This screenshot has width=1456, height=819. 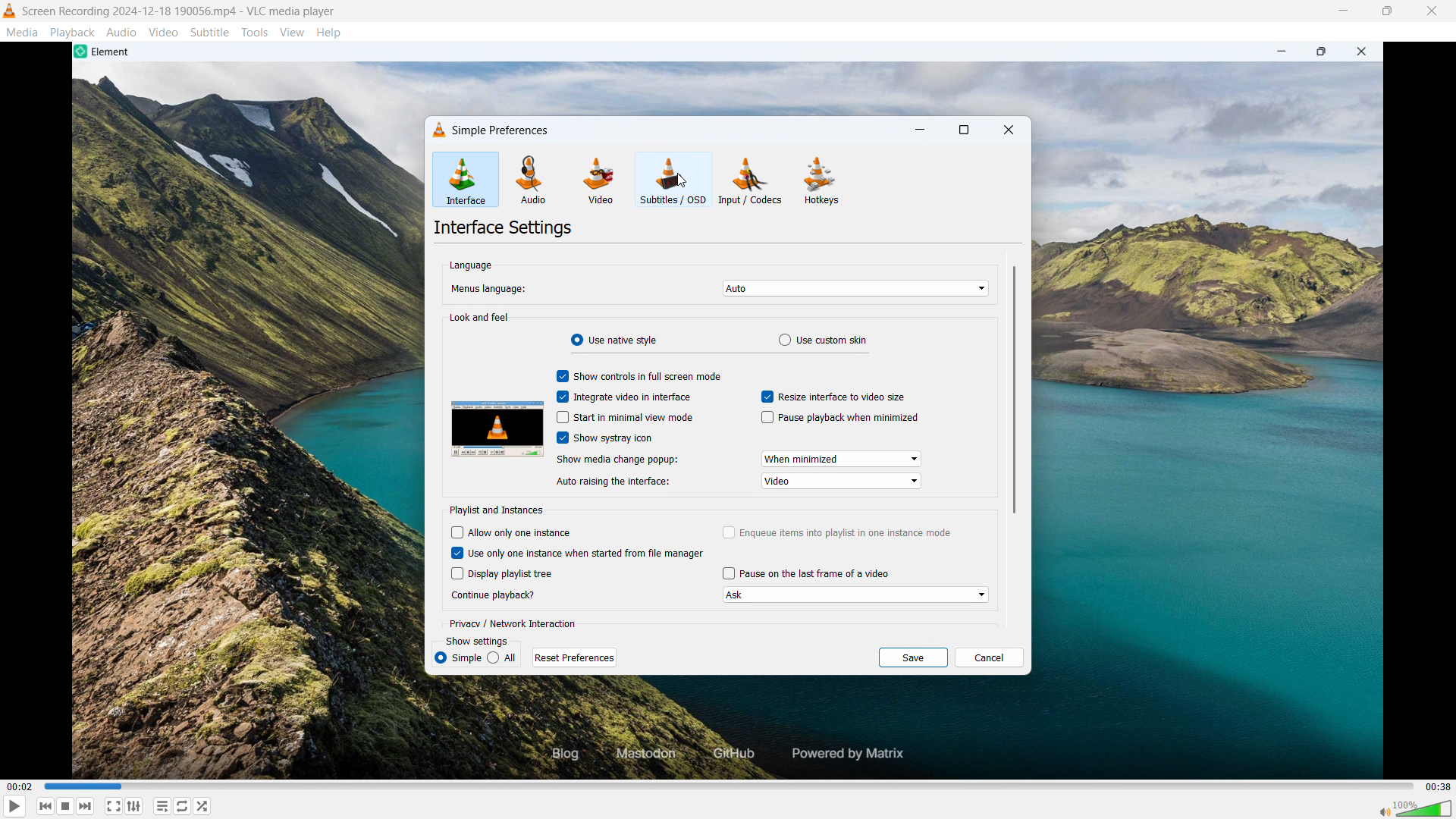 What do you see at coordinates (855, 289) in the screenshot?
I see `select menus language` at bounding box center [855, 289].